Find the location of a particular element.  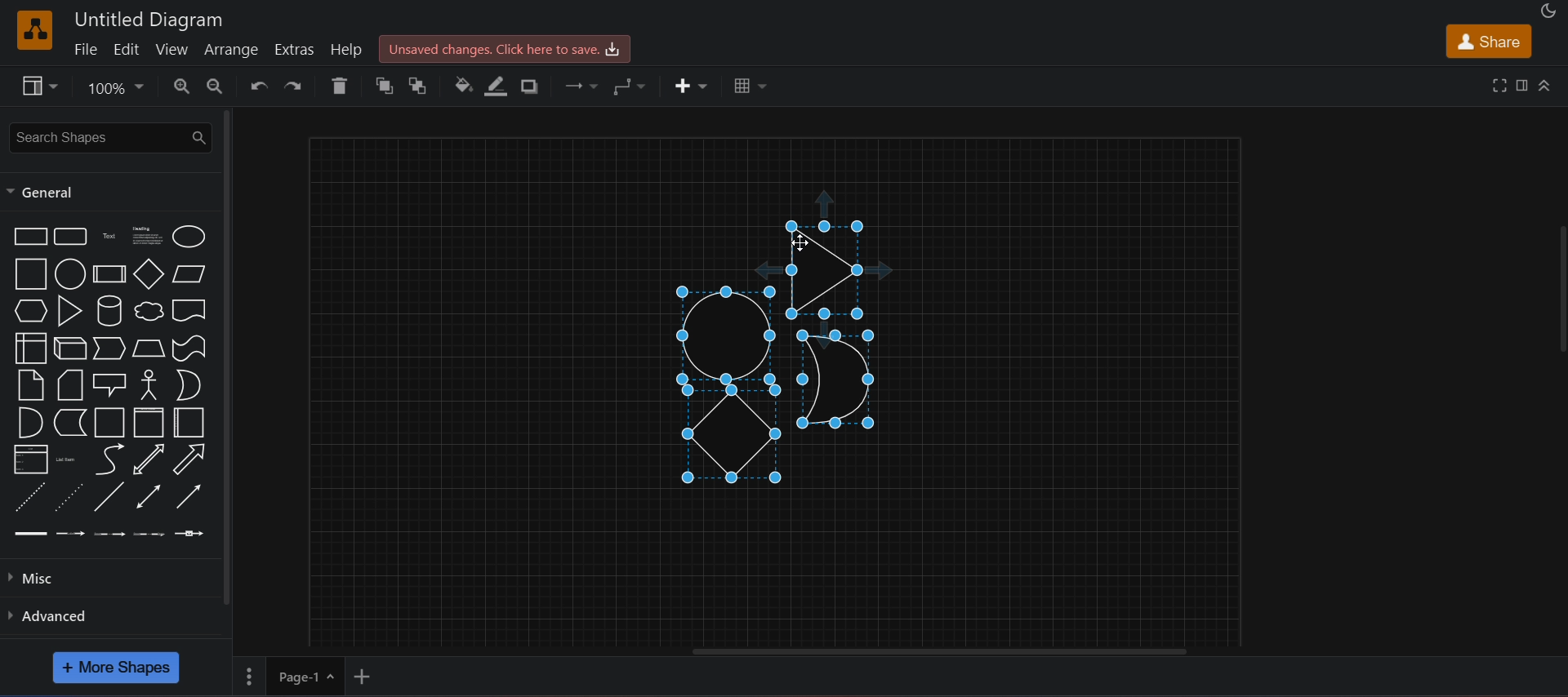

zoom out is located at coordinates (217, 86).